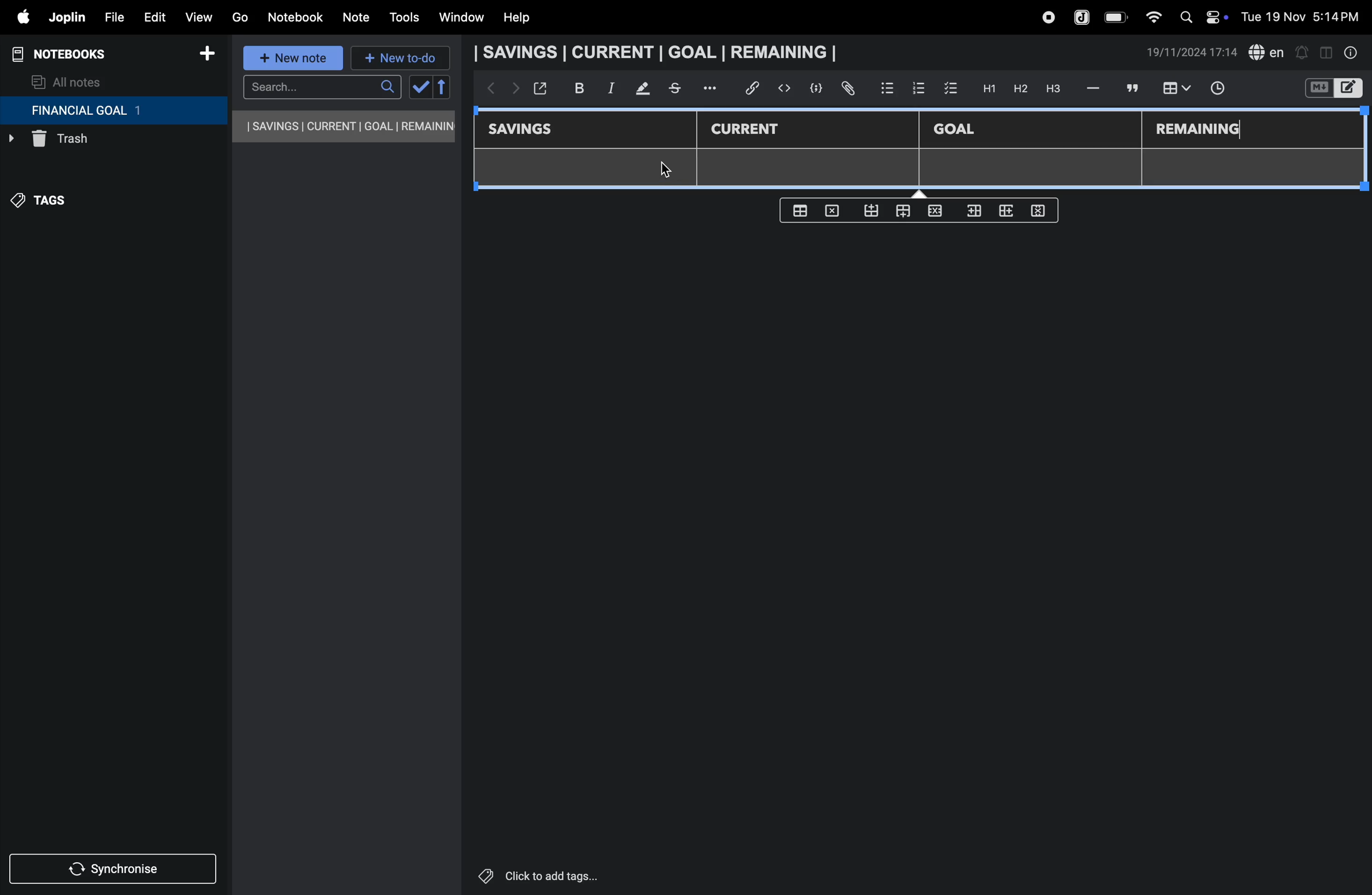 The image size is (1372, 895). Describe the element at coordinates (933, 213) in the screenshot. I see `close rows` at that location.